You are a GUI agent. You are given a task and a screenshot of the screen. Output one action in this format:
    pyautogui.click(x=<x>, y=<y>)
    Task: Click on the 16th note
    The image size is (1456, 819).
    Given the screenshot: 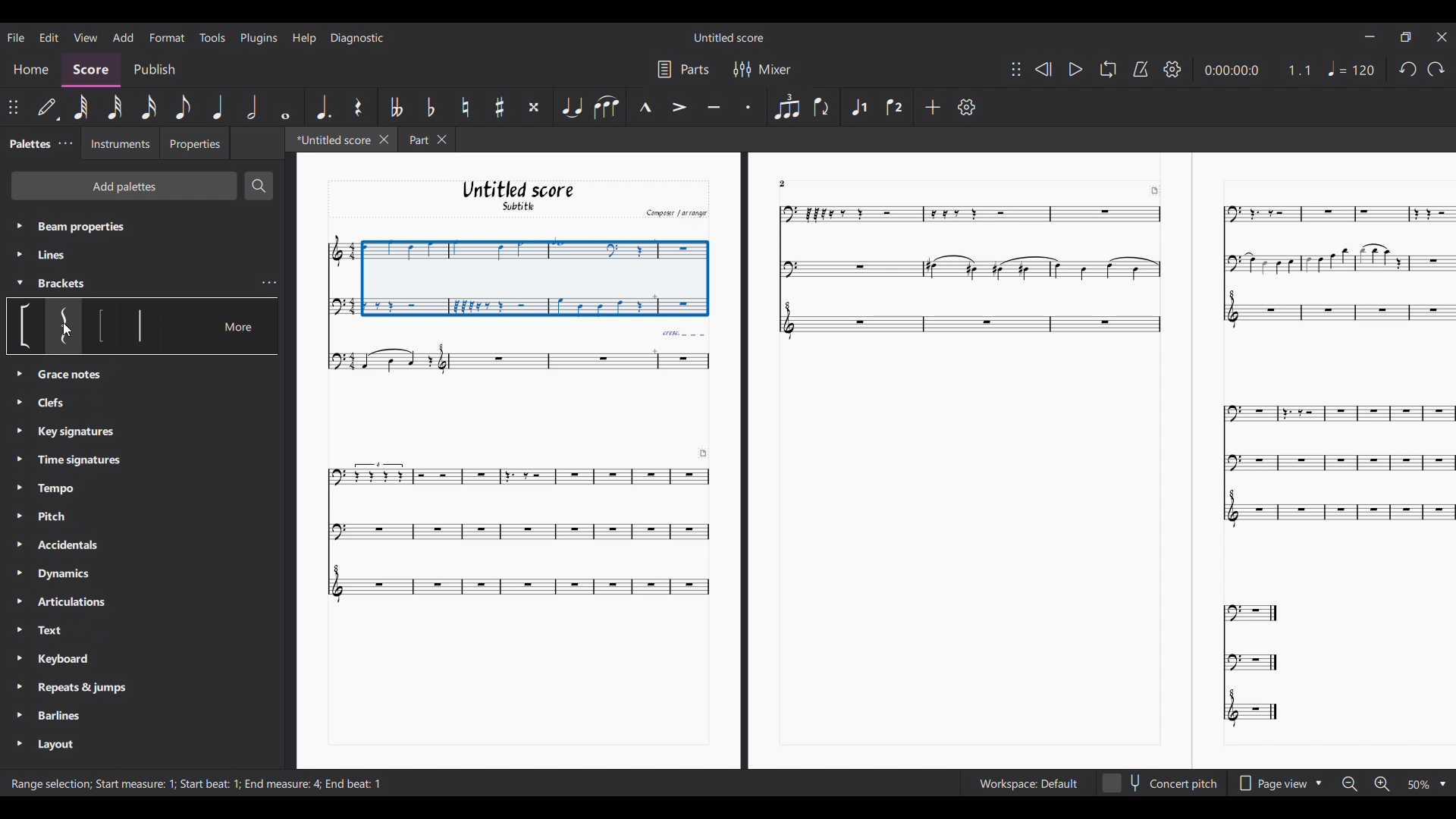 What is the action you would take?
    pyautogui.click(x=149, y=108)
    